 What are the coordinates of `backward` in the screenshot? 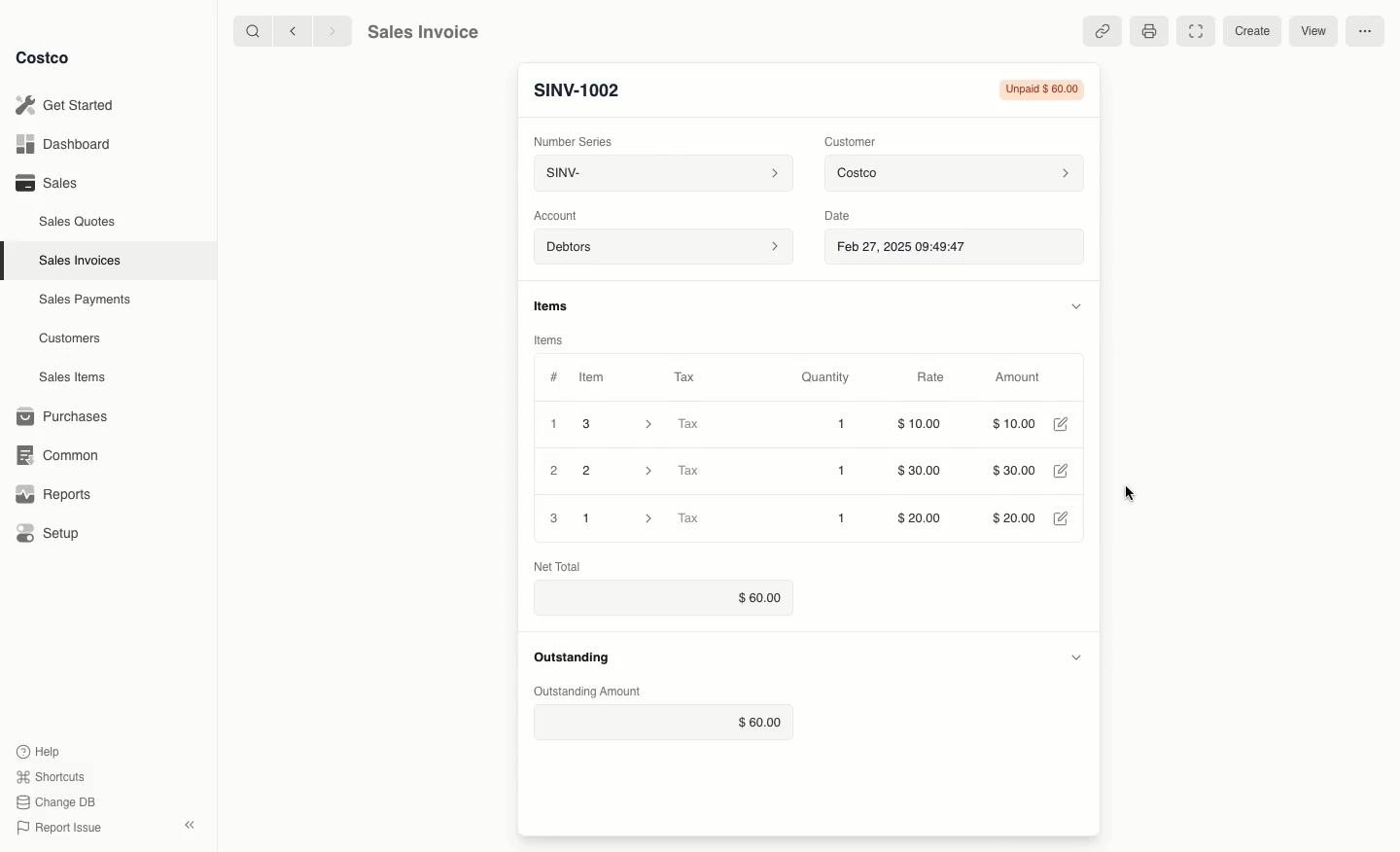 It's located at (289, 30).